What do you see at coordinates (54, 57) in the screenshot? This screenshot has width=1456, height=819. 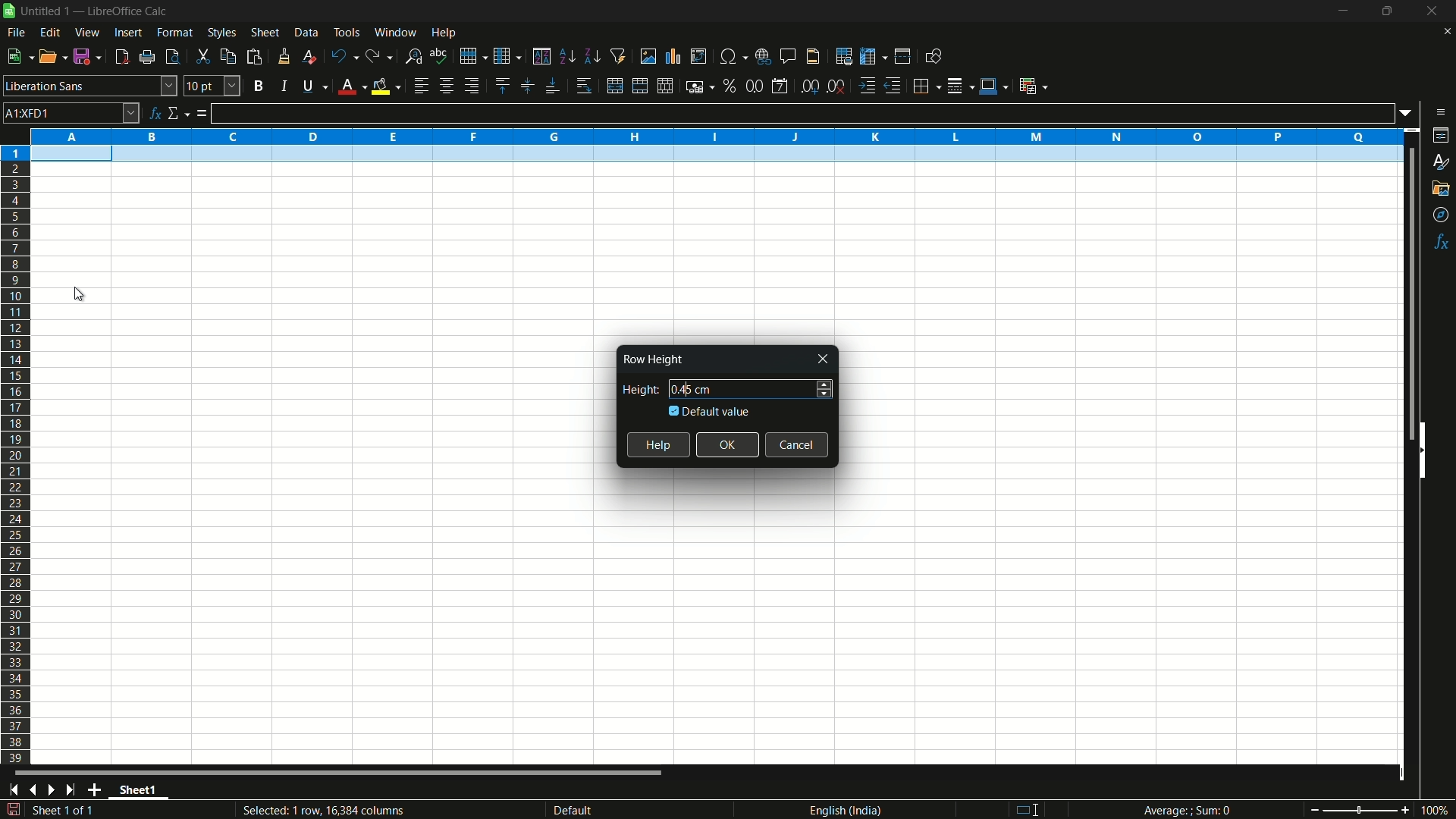 I see `open file` at bounding box center [54, 57].